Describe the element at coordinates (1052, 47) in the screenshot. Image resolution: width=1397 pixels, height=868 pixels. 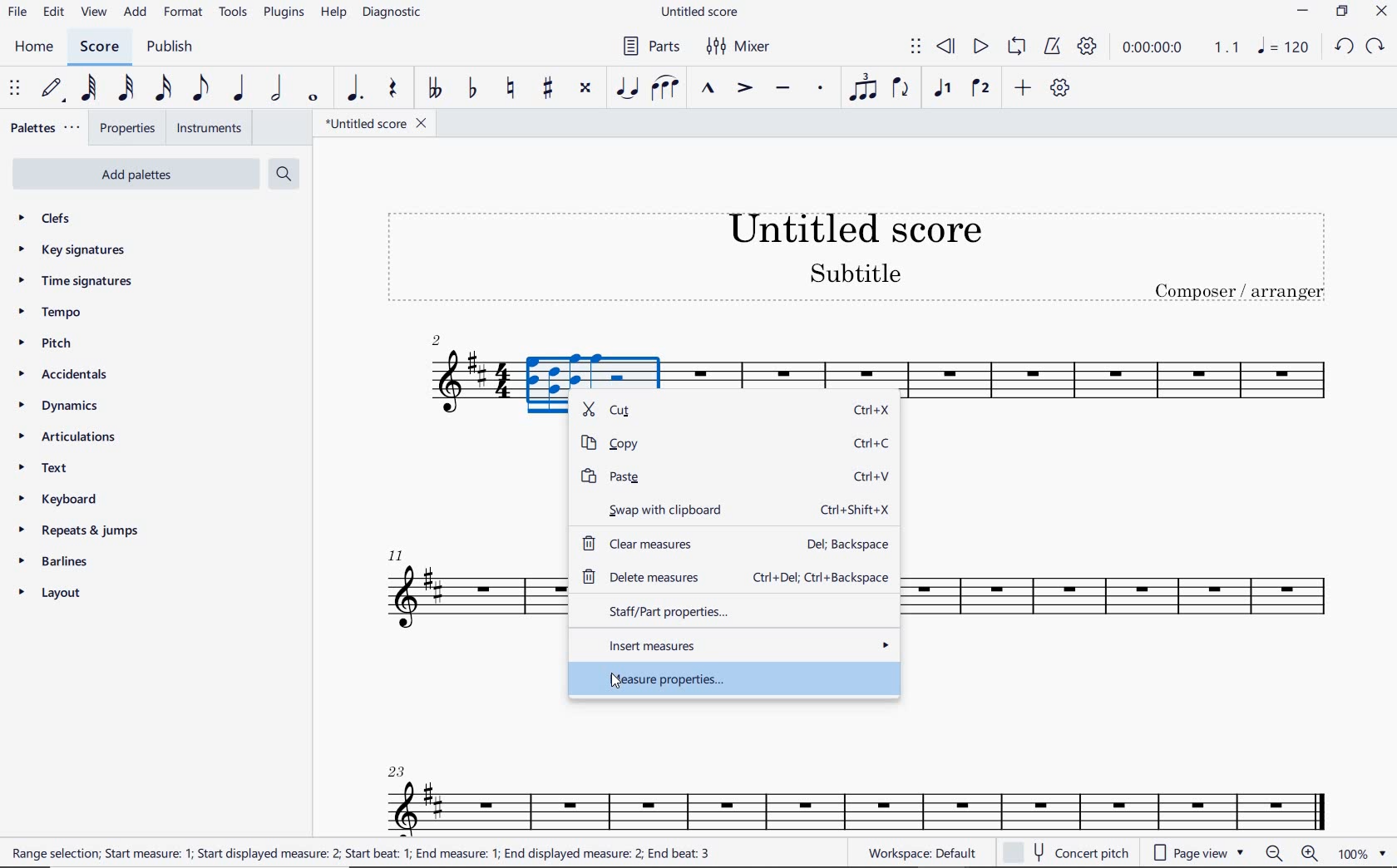
I see `METRONOME` at that location.